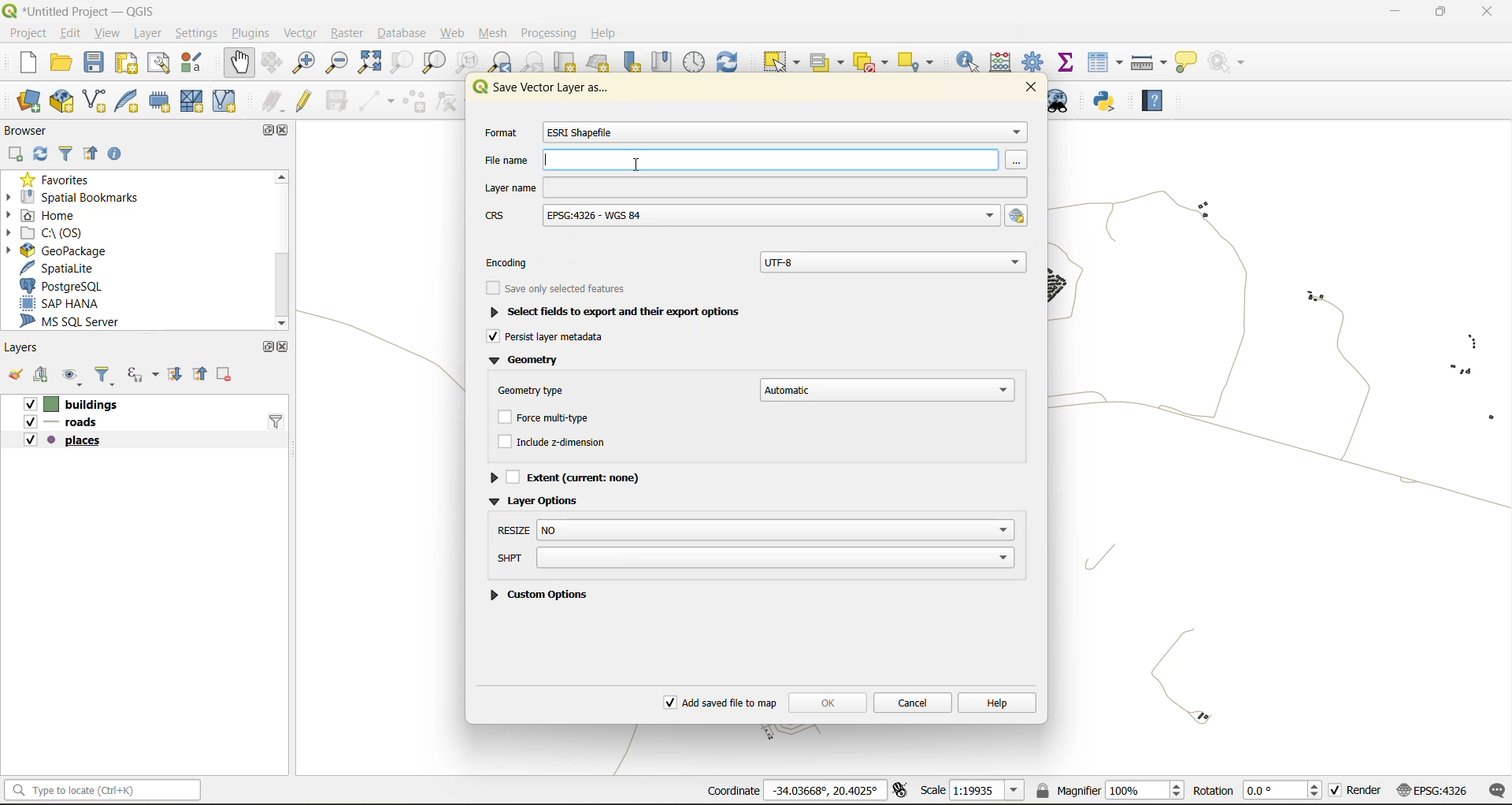 This screenshot has height=805, width=1512. Describe the element at coordinates (198, 31) in the screenshot. I see `settings` at that location.